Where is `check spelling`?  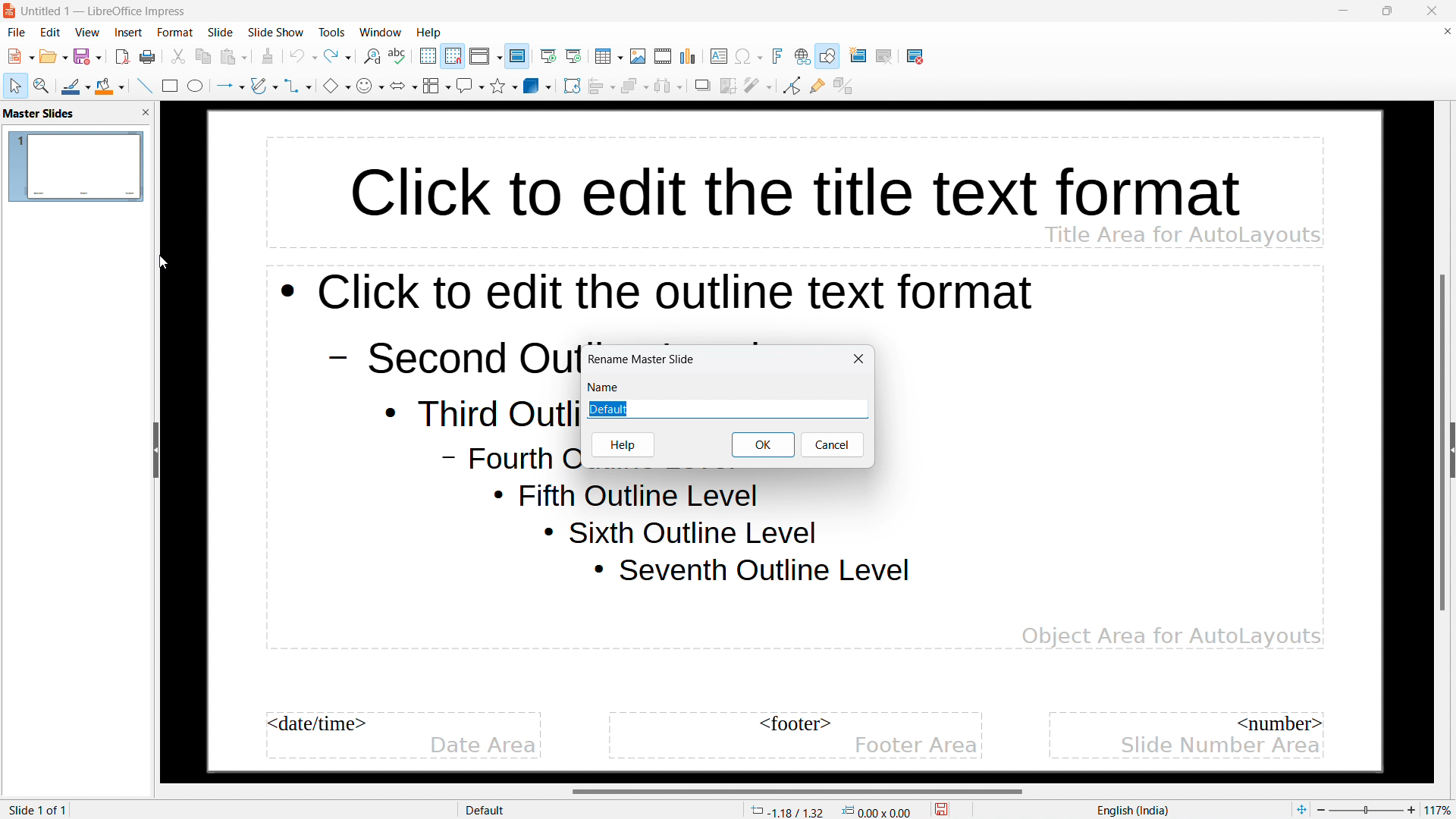
check spelling is located at coordinates (400, 57).